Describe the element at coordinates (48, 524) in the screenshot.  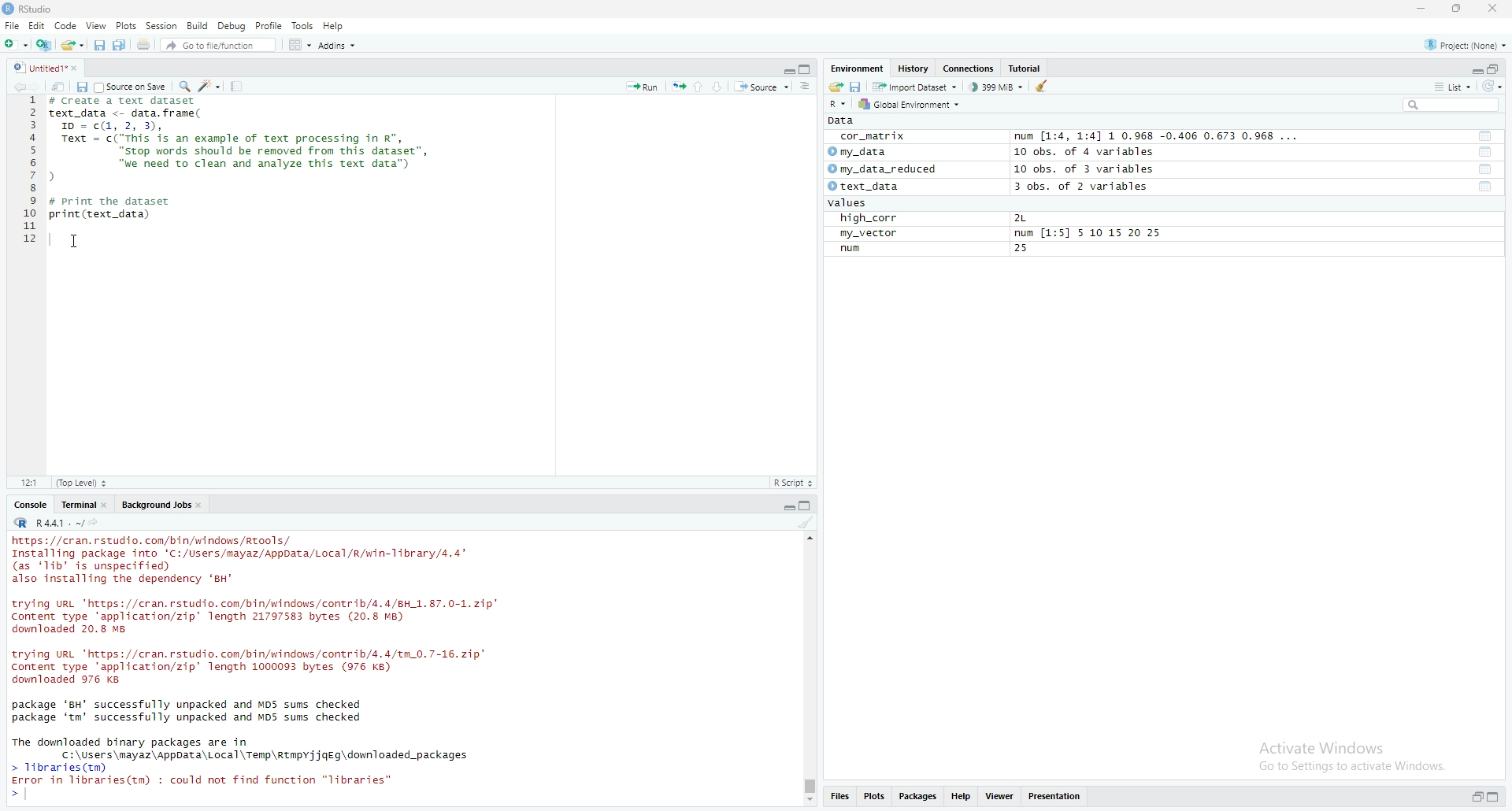
I see `R.4.4.1` at that location.